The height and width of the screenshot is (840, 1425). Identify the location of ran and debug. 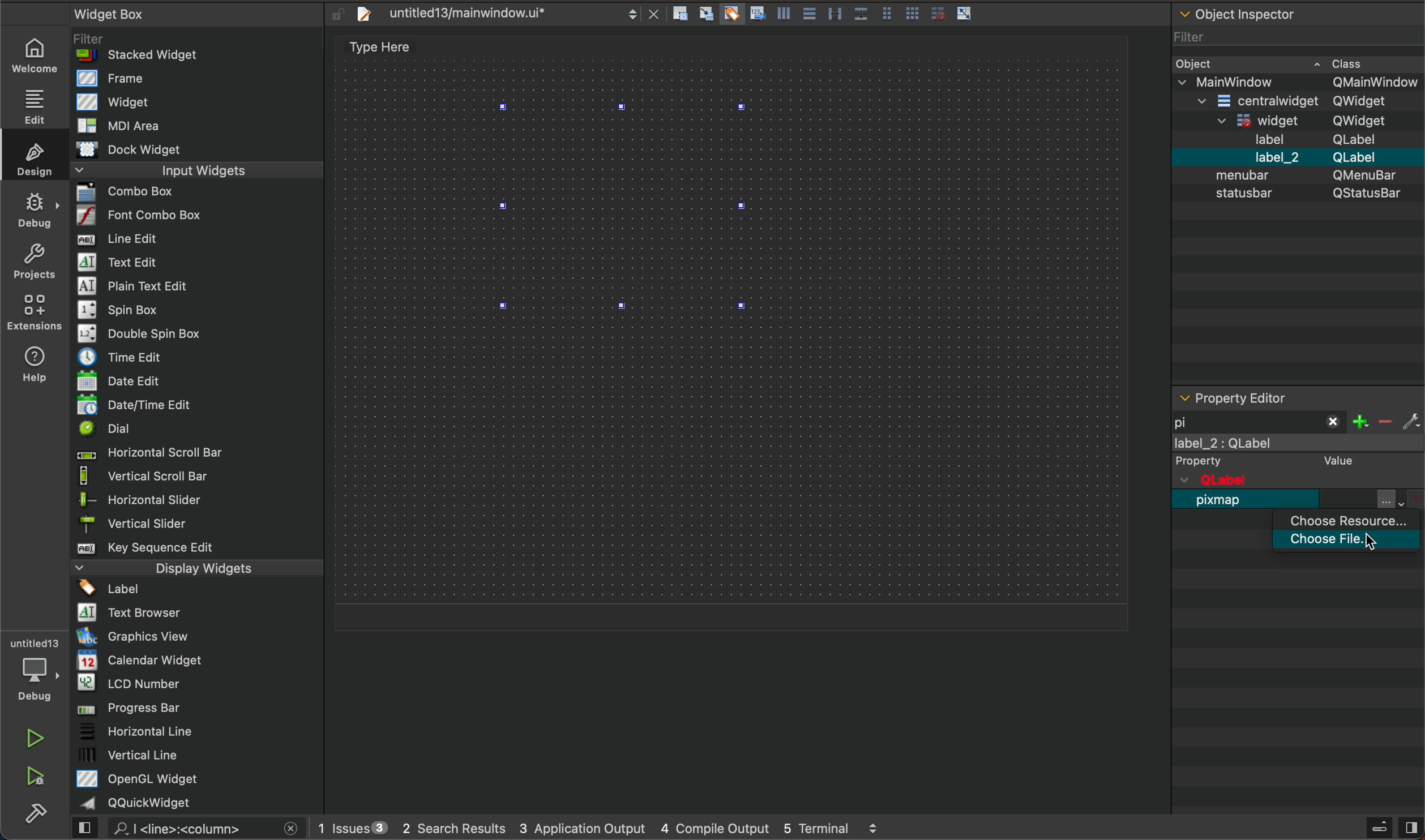
(43, 778).